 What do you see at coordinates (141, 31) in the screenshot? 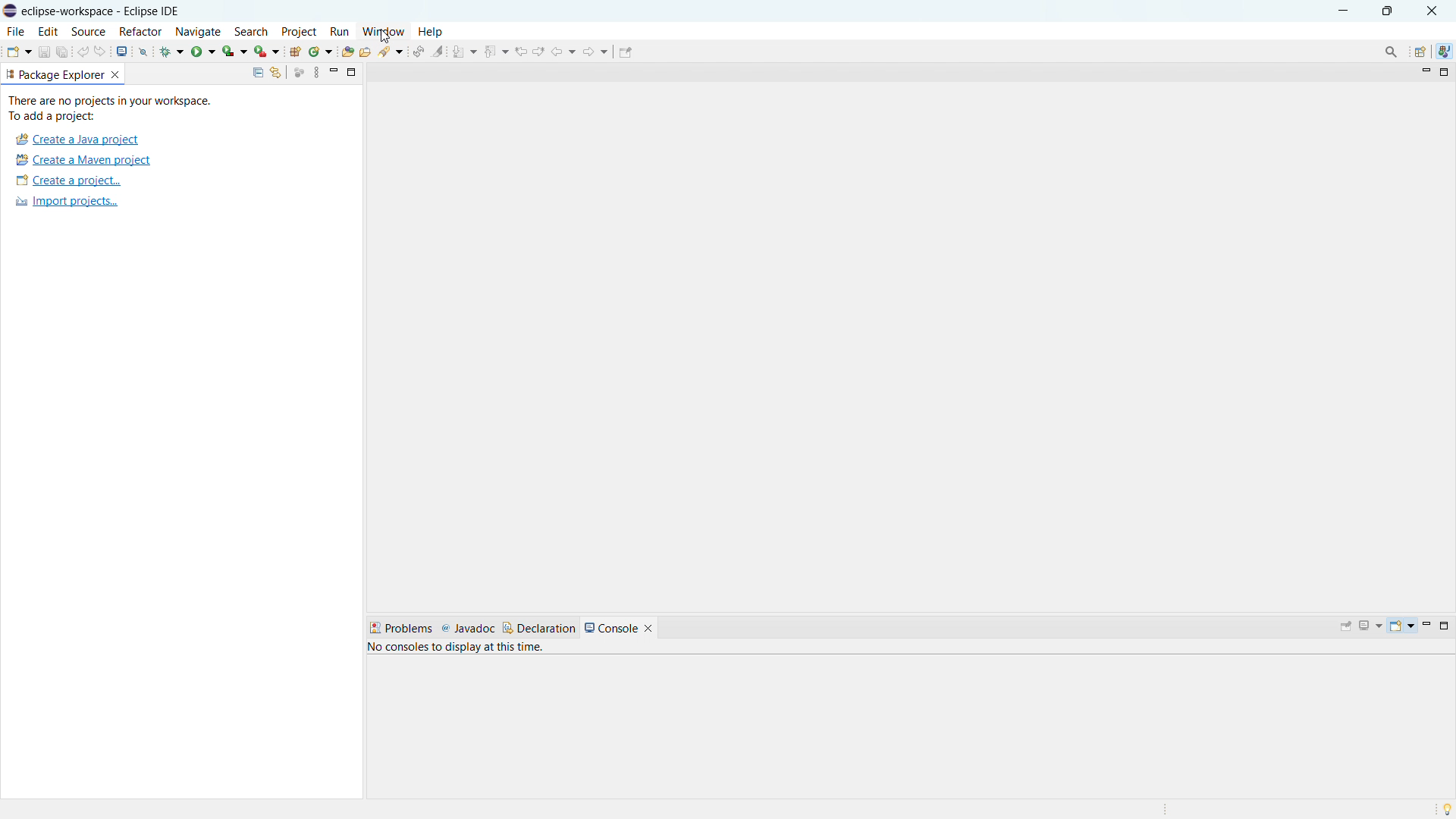
I see `refactor` at bounding box center [141, 31].